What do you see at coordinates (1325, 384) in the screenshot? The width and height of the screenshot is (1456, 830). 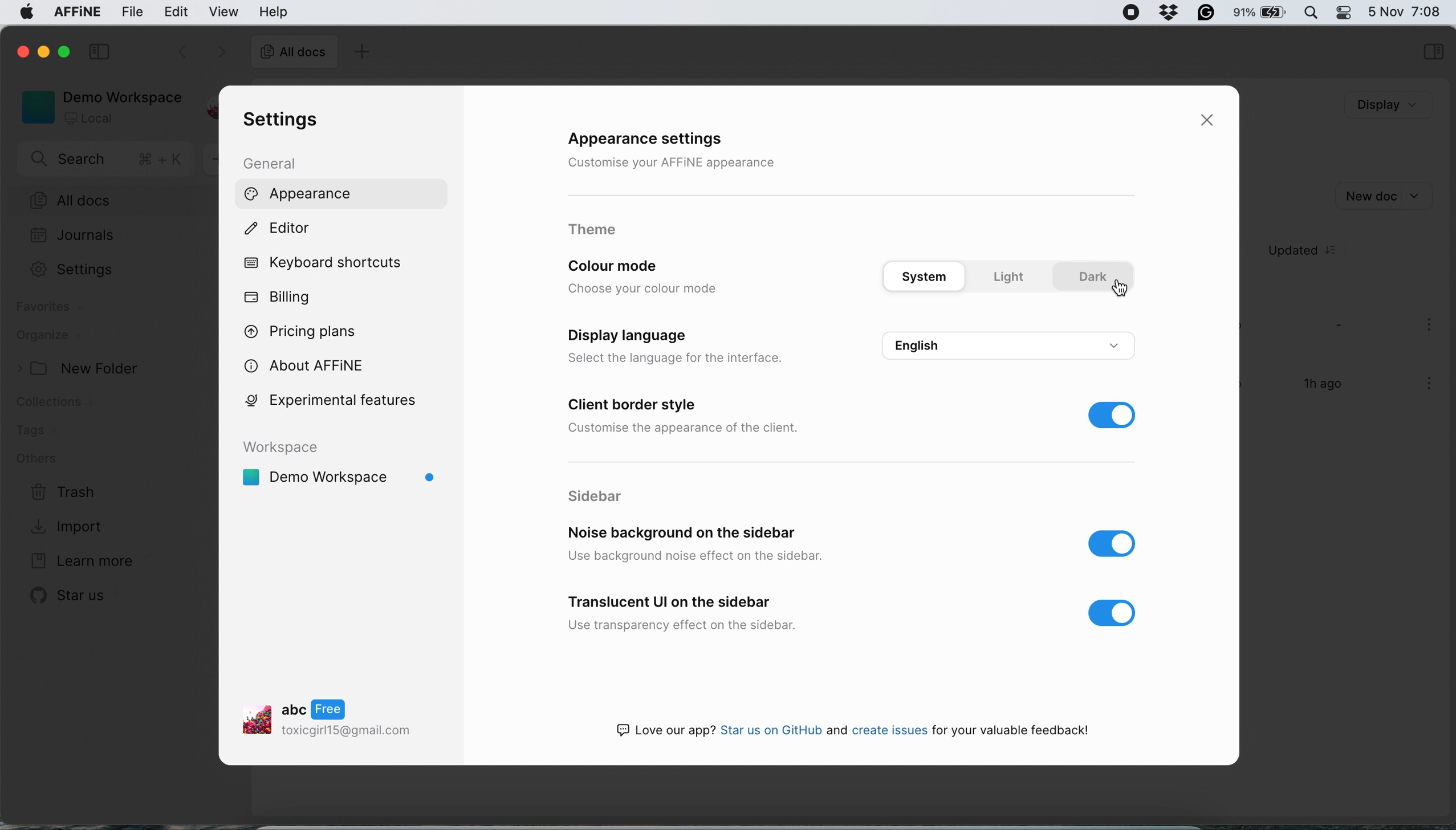 I see `1h ago` at bounding box center [1325, 384].